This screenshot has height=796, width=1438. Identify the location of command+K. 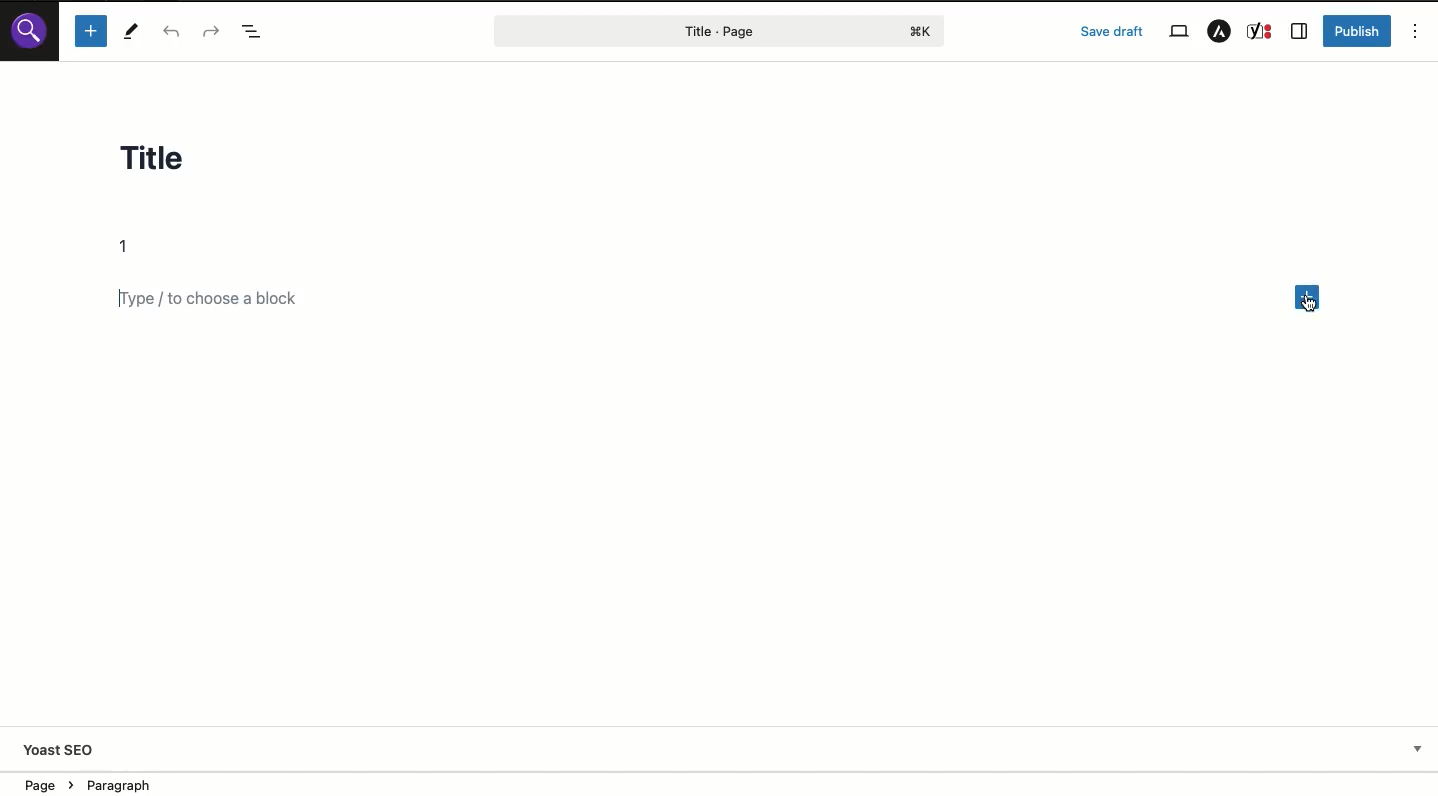
(922, 32).